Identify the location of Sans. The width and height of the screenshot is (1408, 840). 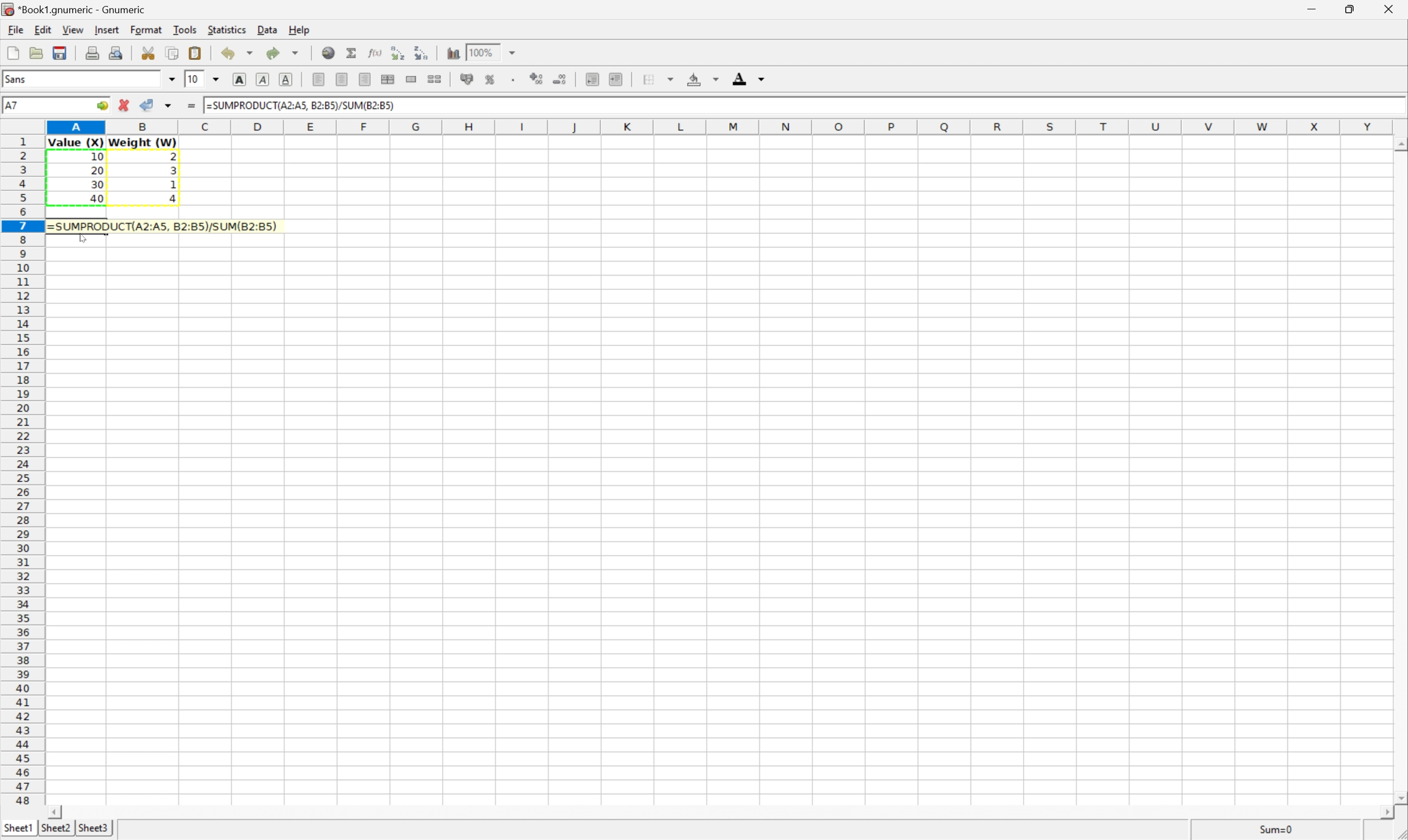
(17, 77).